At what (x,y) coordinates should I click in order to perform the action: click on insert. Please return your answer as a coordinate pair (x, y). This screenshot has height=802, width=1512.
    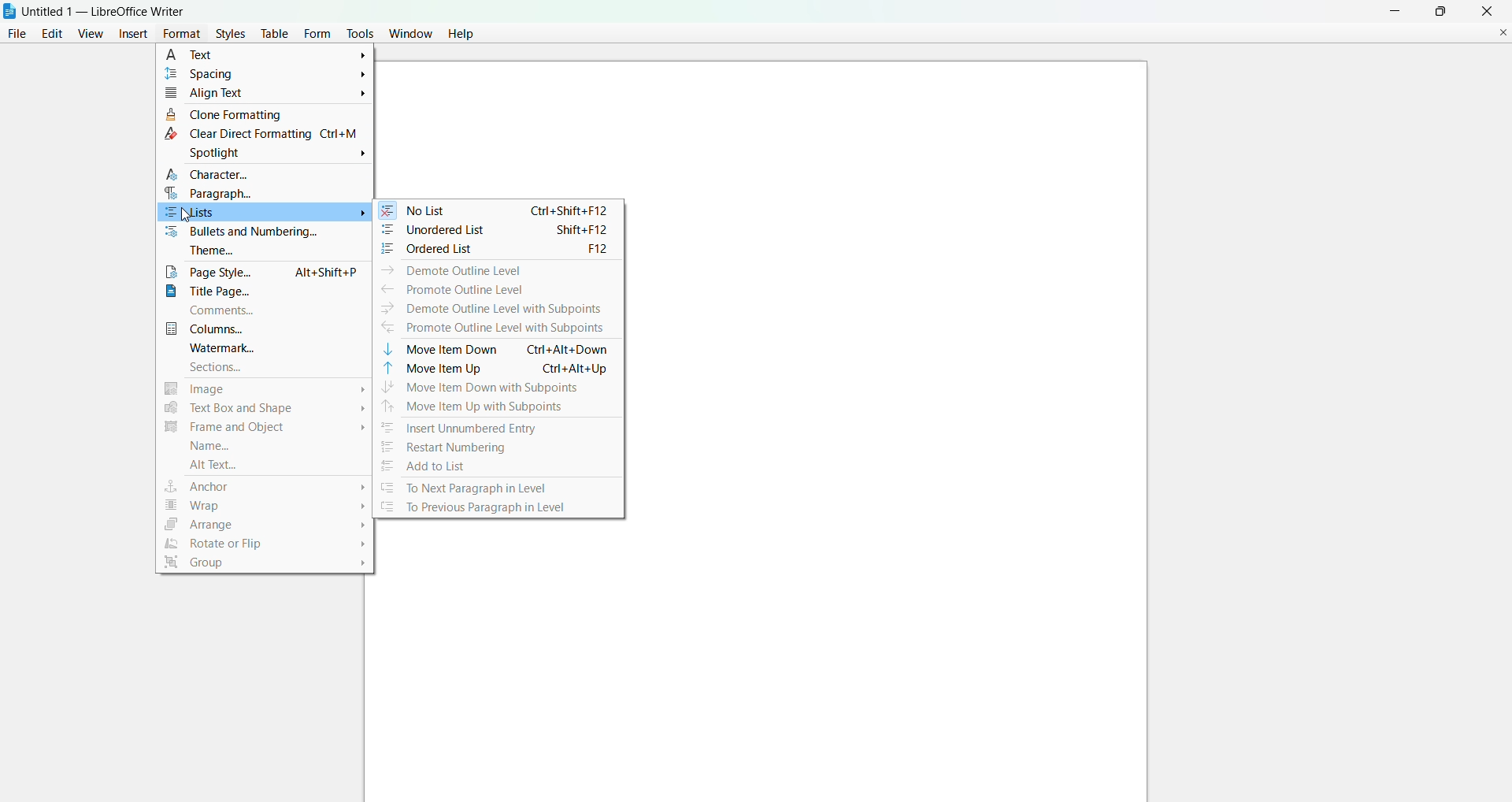
    Looking at the image, I should click on (129, 33).